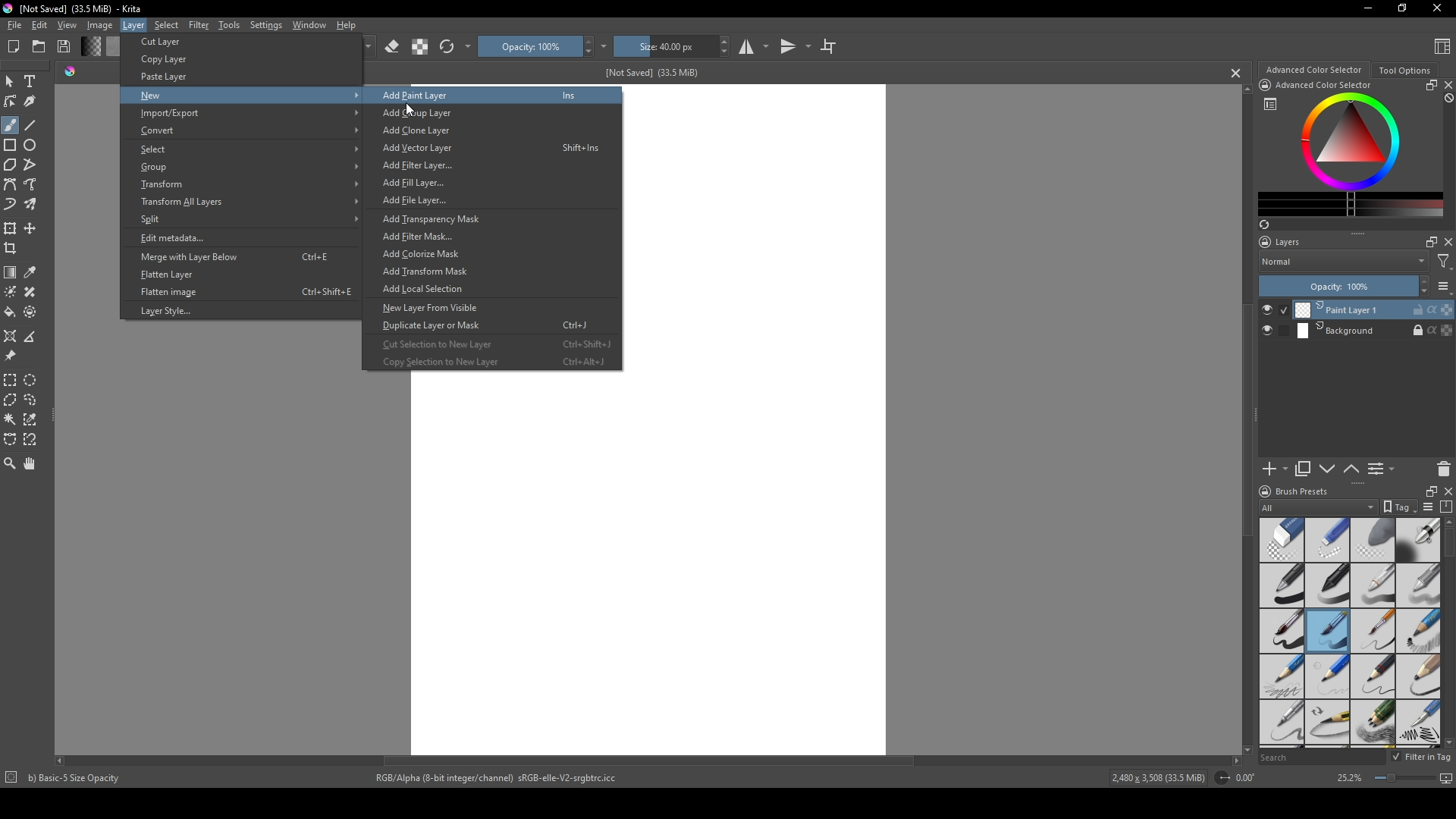 The height and width of the screenshot is (819, 1456). Describe the element at coordinates (32, 165) in the screenshot. I see `polyline` at that location.